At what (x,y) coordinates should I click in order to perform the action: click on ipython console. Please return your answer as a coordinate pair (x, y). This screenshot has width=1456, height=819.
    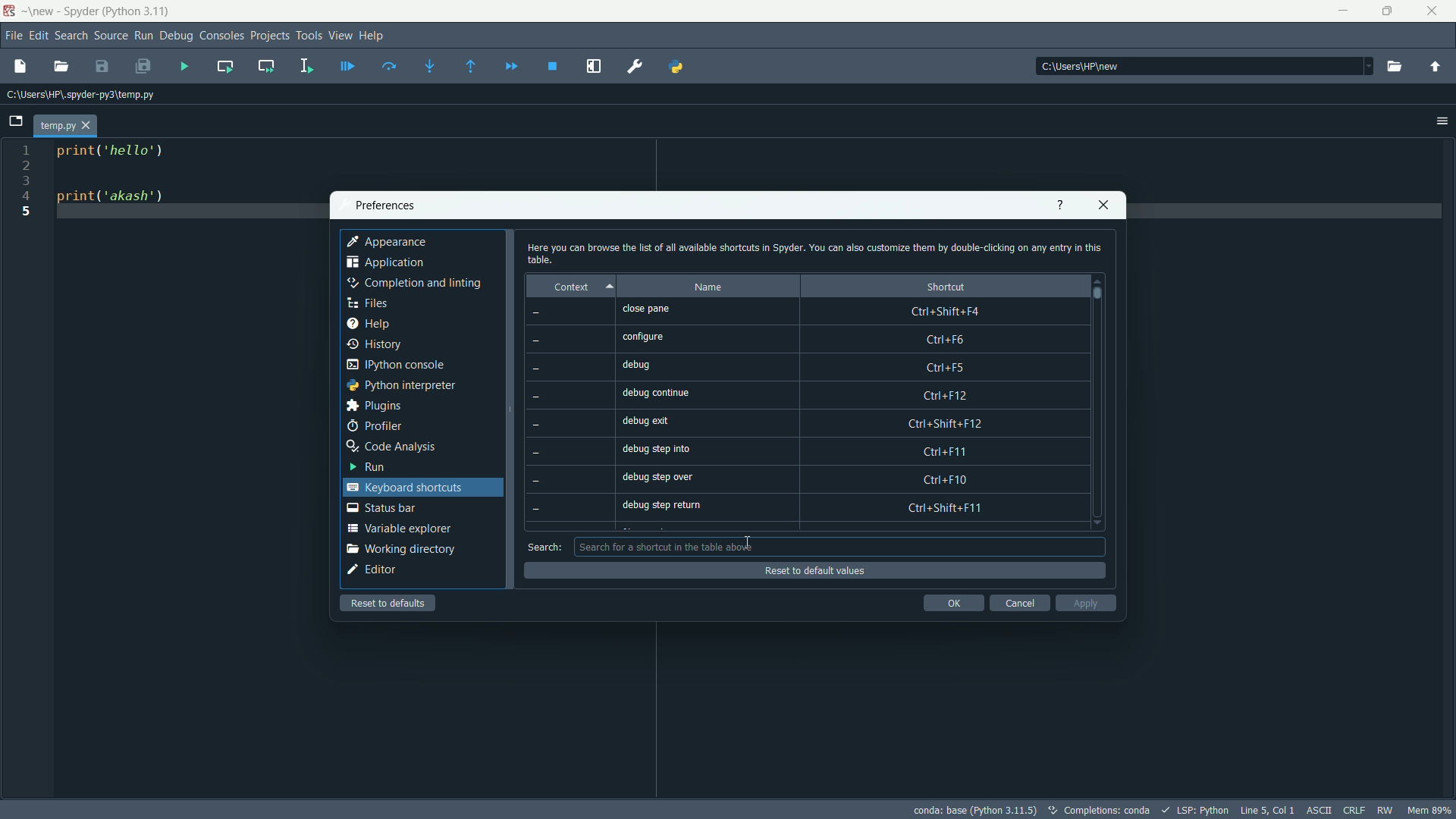
    Looking at the image, I should click on (402, 364).